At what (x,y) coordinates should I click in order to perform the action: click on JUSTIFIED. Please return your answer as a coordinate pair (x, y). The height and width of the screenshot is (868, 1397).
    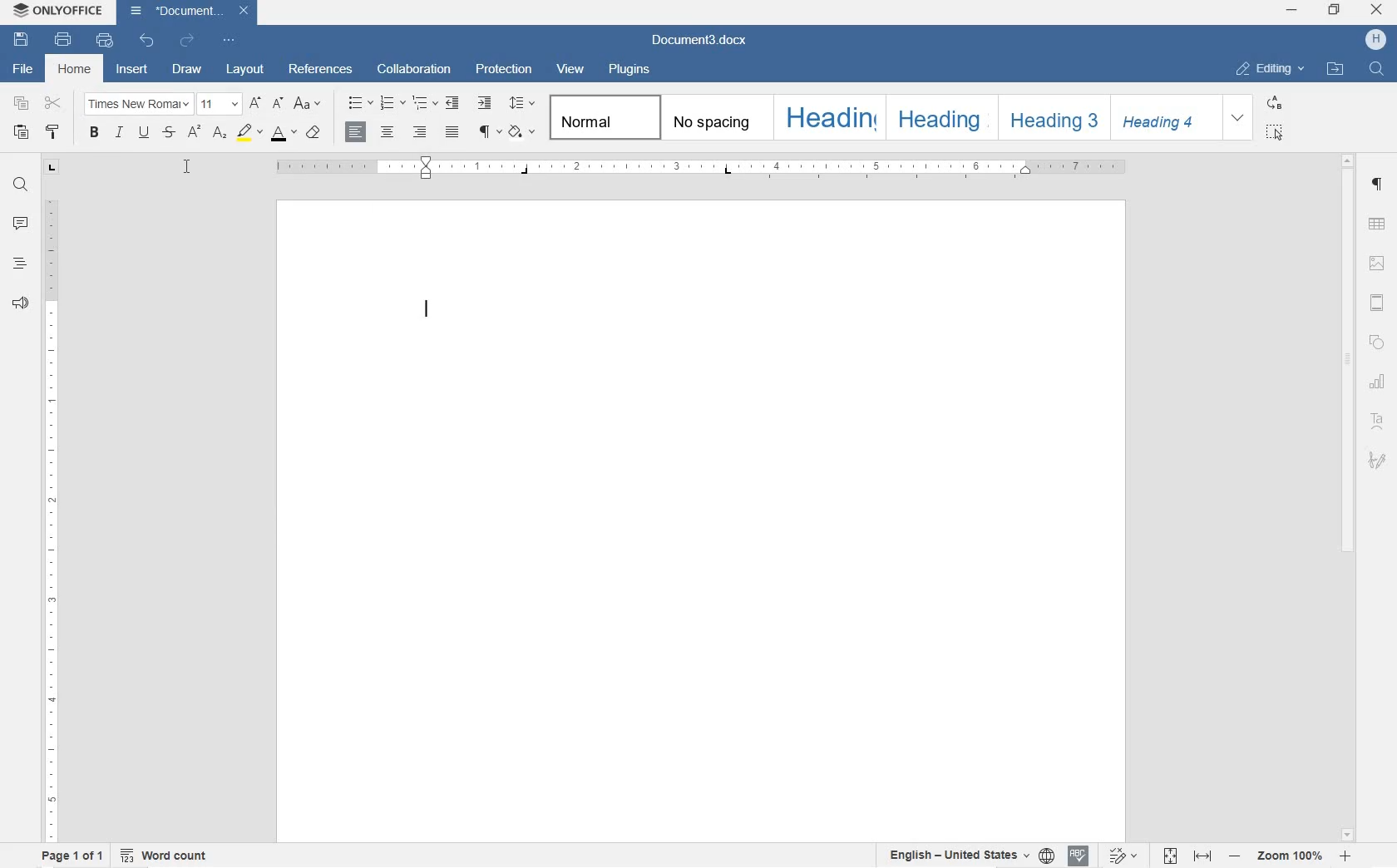
    Looking at the image, I should click on (452, 131).